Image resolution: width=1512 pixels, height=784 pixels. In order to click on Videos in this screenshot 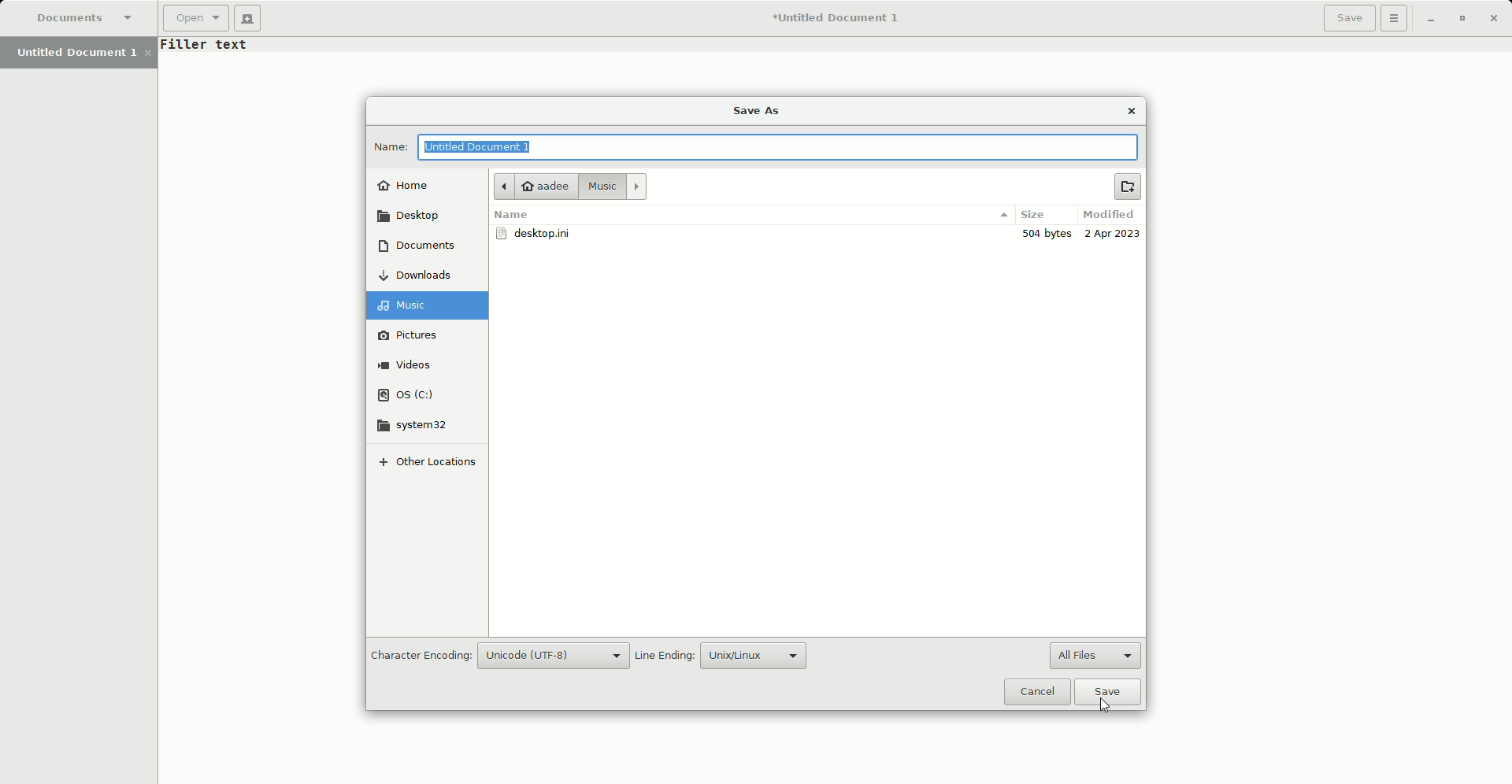, I will do `click(412, 366)`.